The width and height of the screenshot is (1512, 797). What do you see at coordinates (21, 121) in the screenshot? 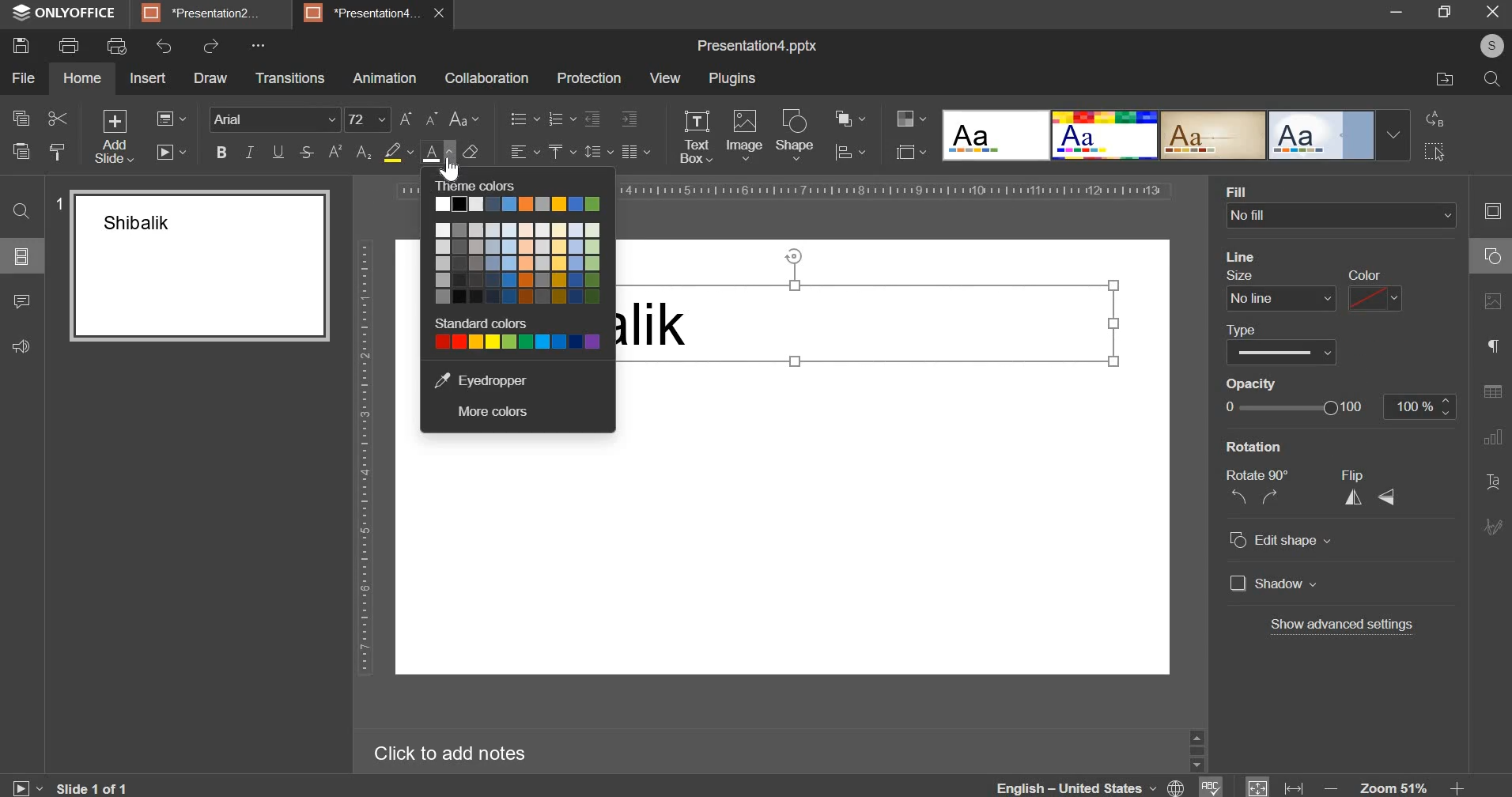
I see `copy` at bounding box center [21, 121].